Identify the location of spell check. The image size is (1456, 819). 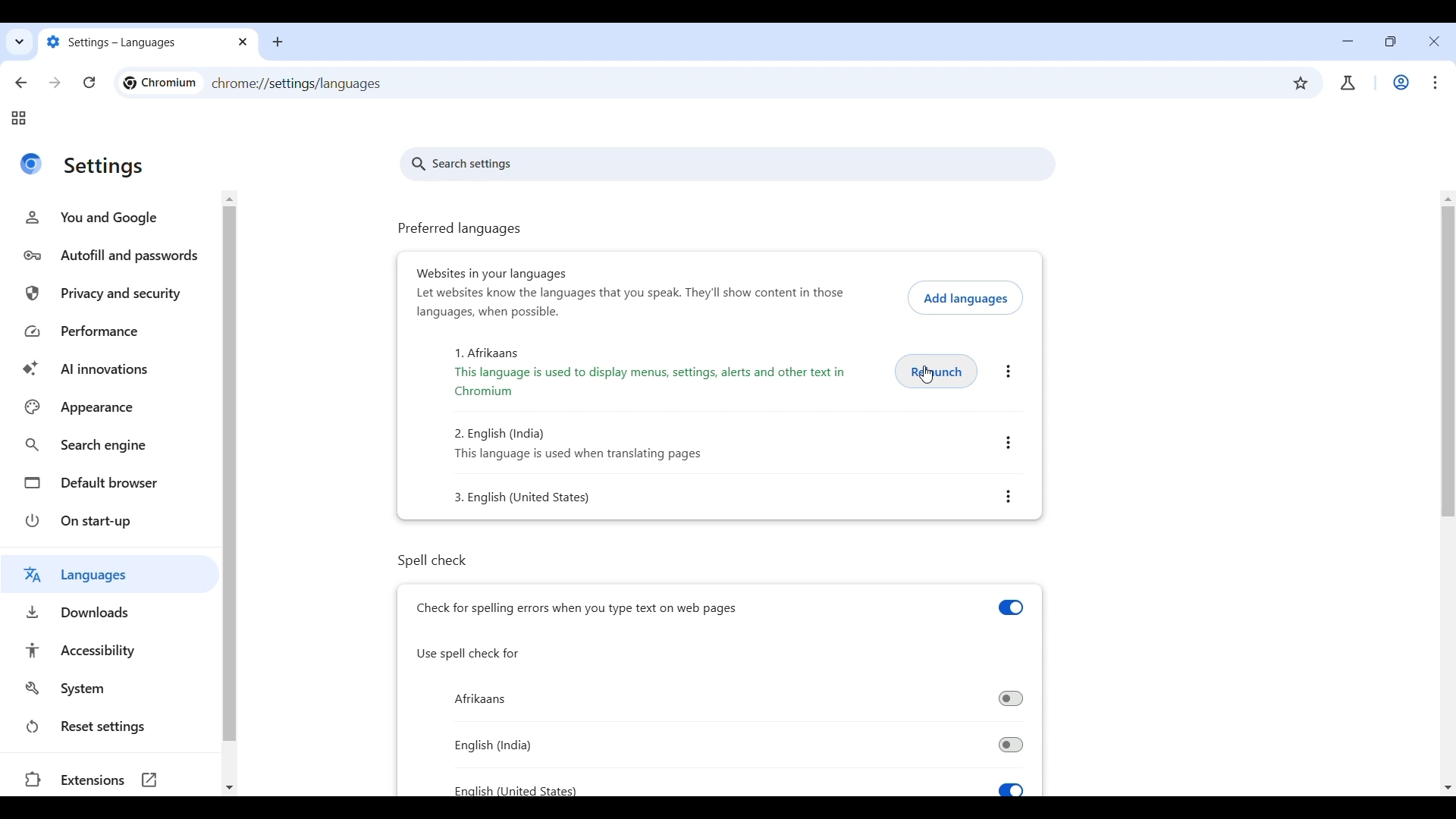
(453, 560).